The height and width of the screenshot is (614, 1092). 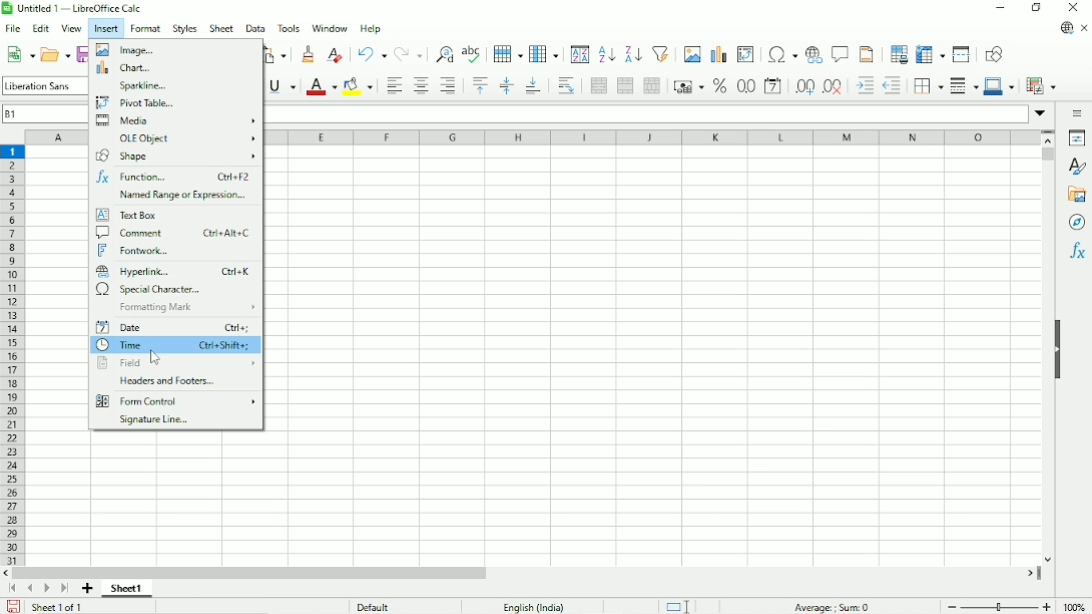 I want to click on Media, so click(x=177, y=122).